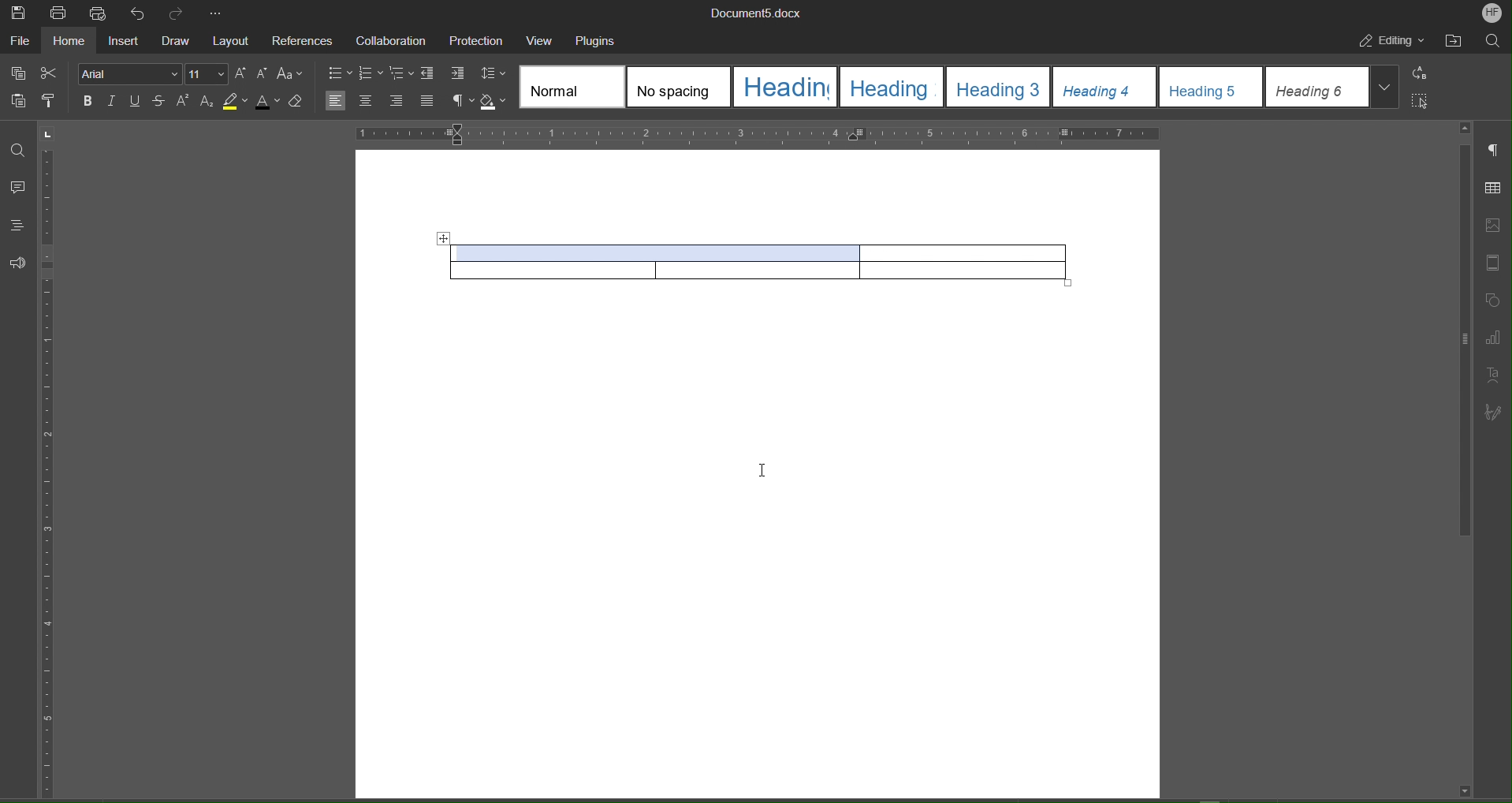 The image size is (1512, 803). What do you see at coordinates (1456, 42) in the screenshot?
I see `Open File Location` at bounding box center [1456, 42].